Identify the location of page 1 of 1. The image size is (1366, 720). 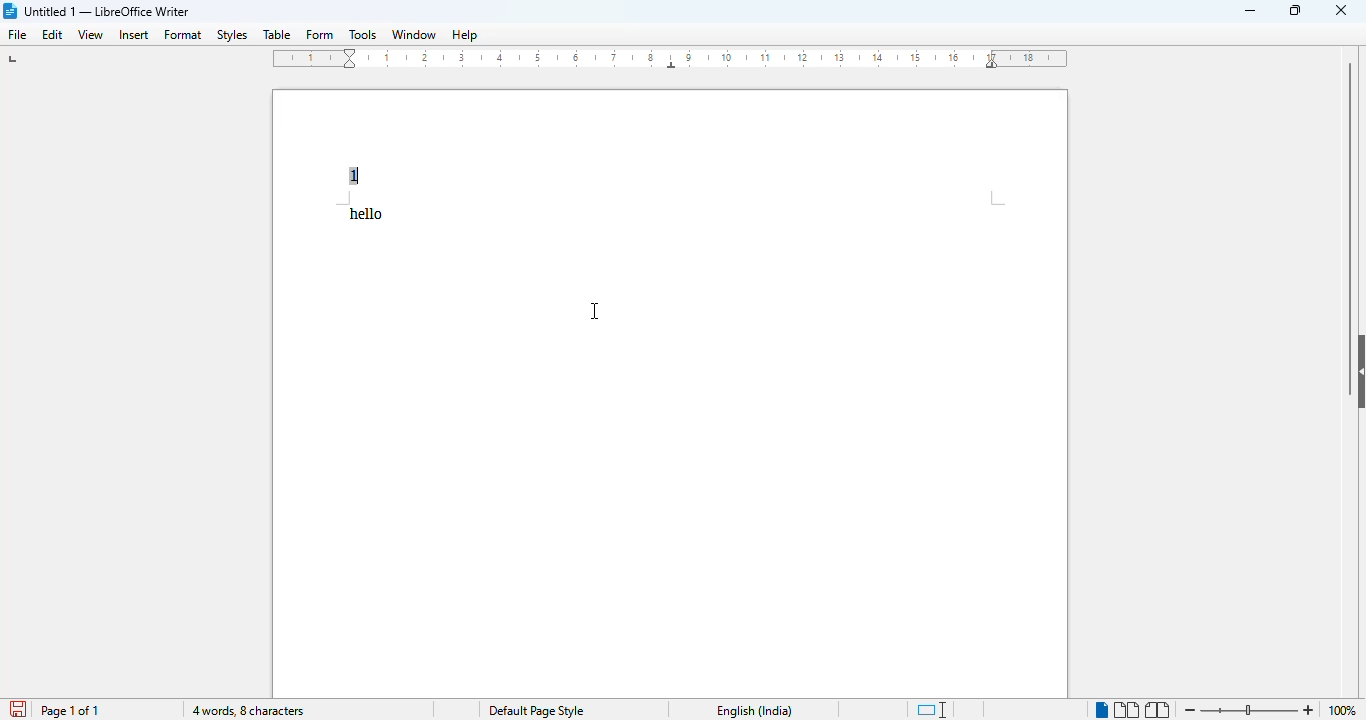
(70, 711).